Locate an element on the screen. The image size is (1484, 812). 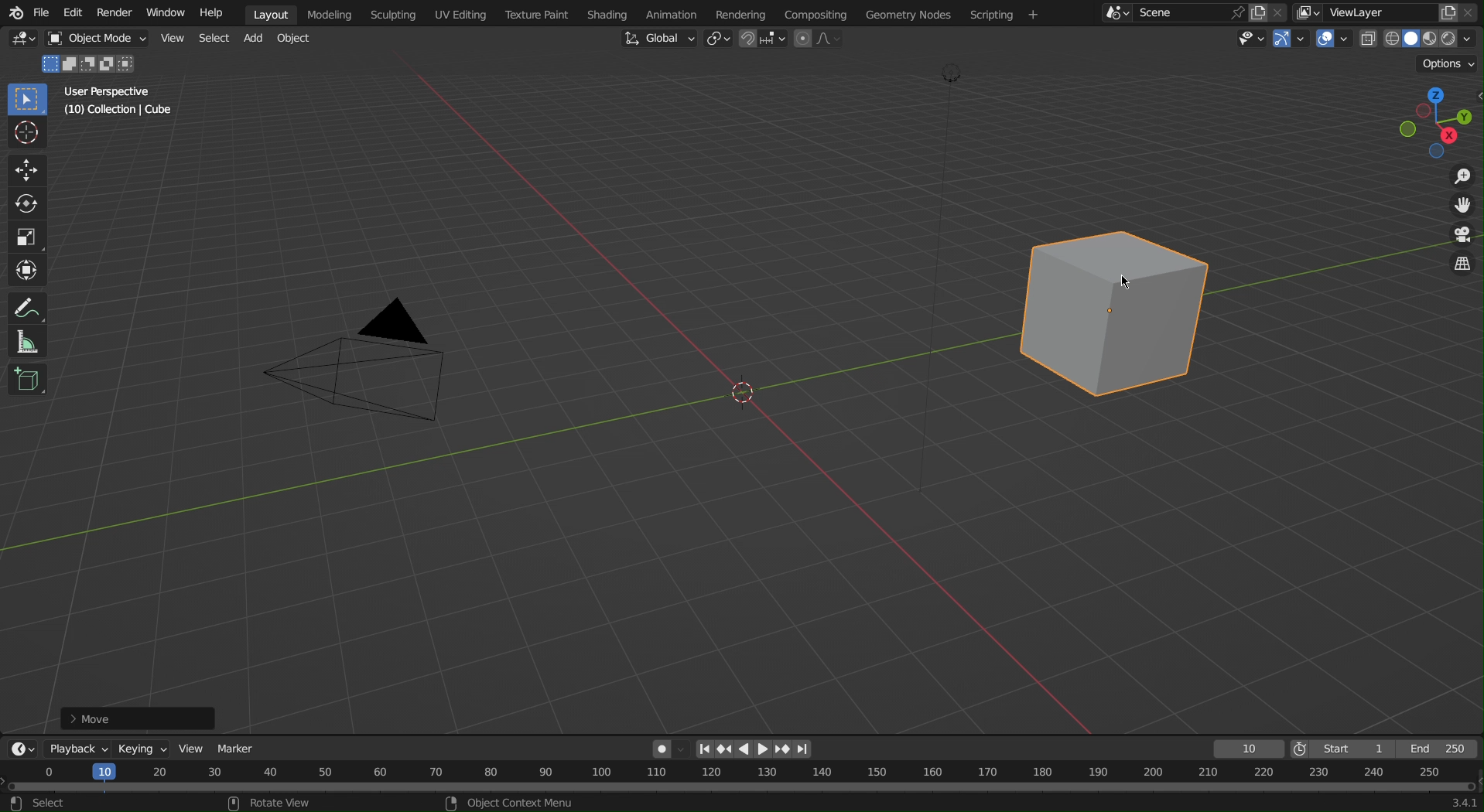
Viewport Shading is located at coordinates (1420, 39).